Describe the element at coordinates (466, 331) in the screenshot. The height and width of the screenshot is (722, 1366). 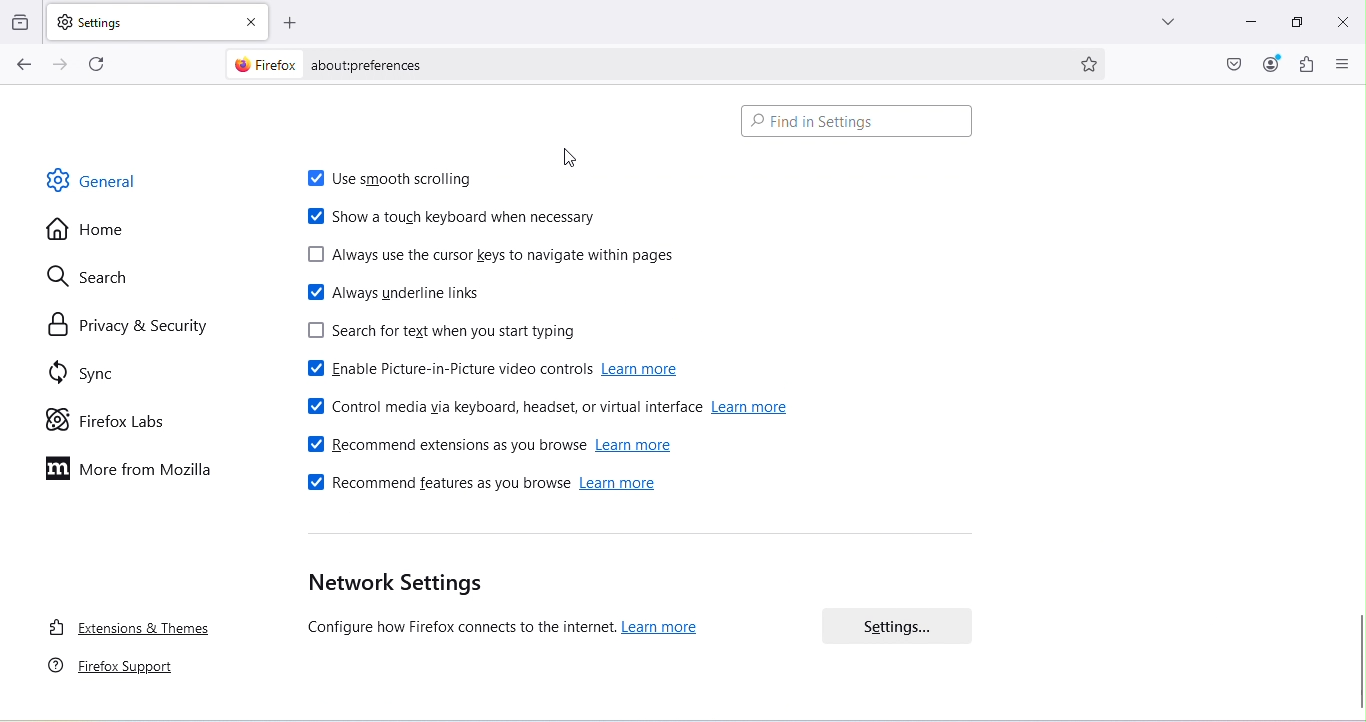
I see `Search for text when you start typing` at that location.